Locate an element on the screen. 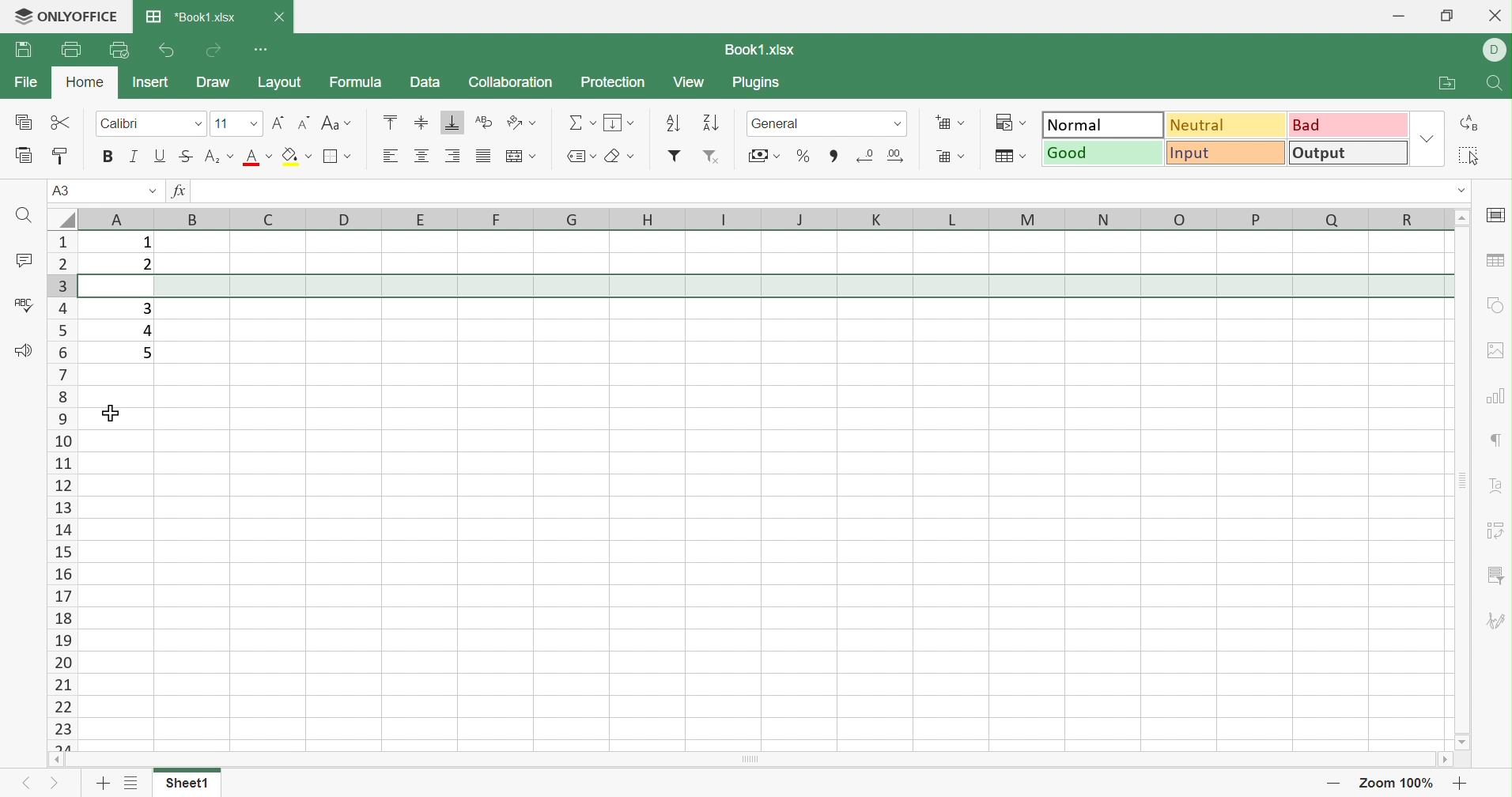 The height and width of the screenshot is (797, 1512). Drop Down is located at coordinates (231, 155).